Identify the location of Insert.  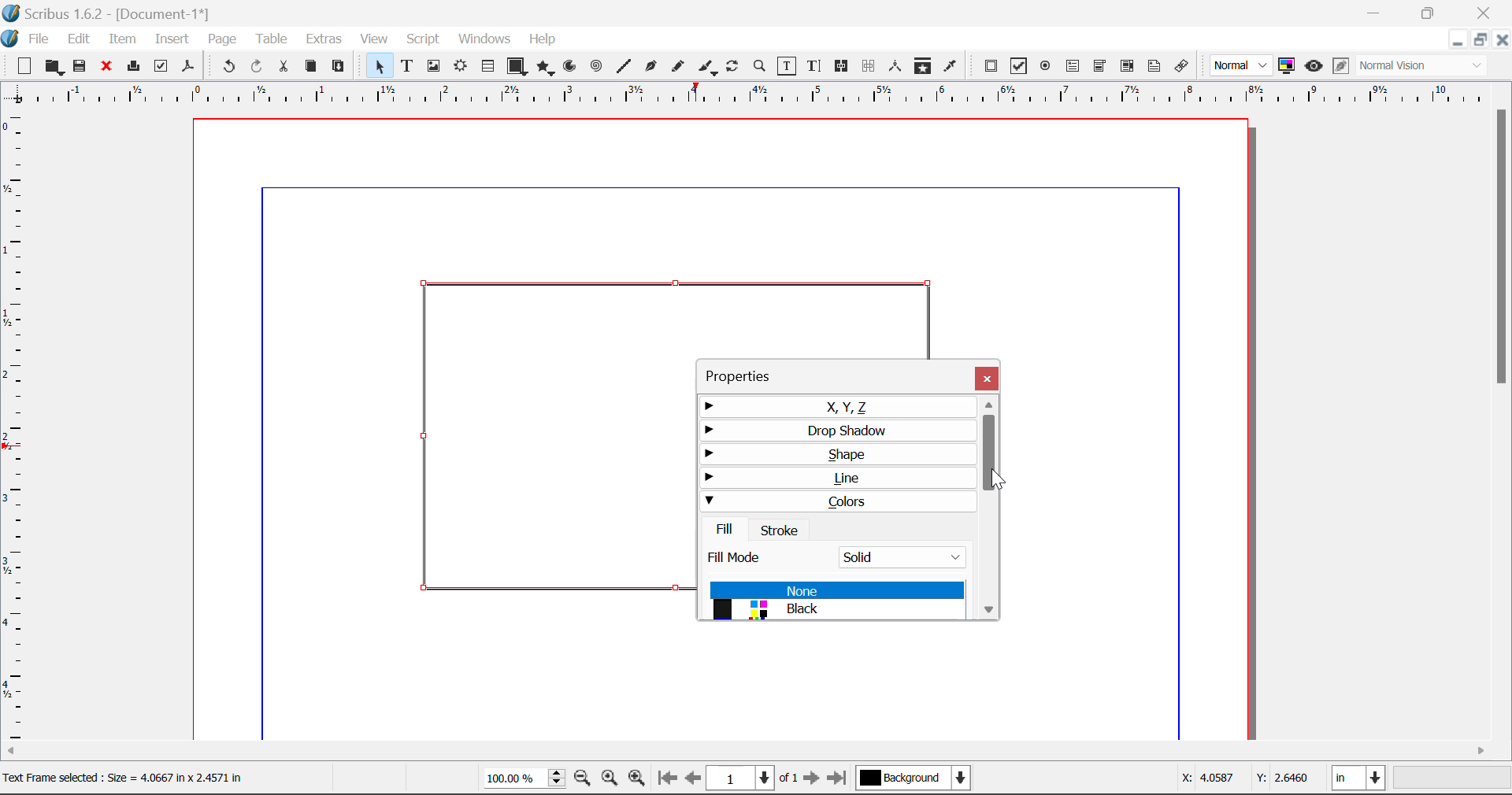
(171, 39).